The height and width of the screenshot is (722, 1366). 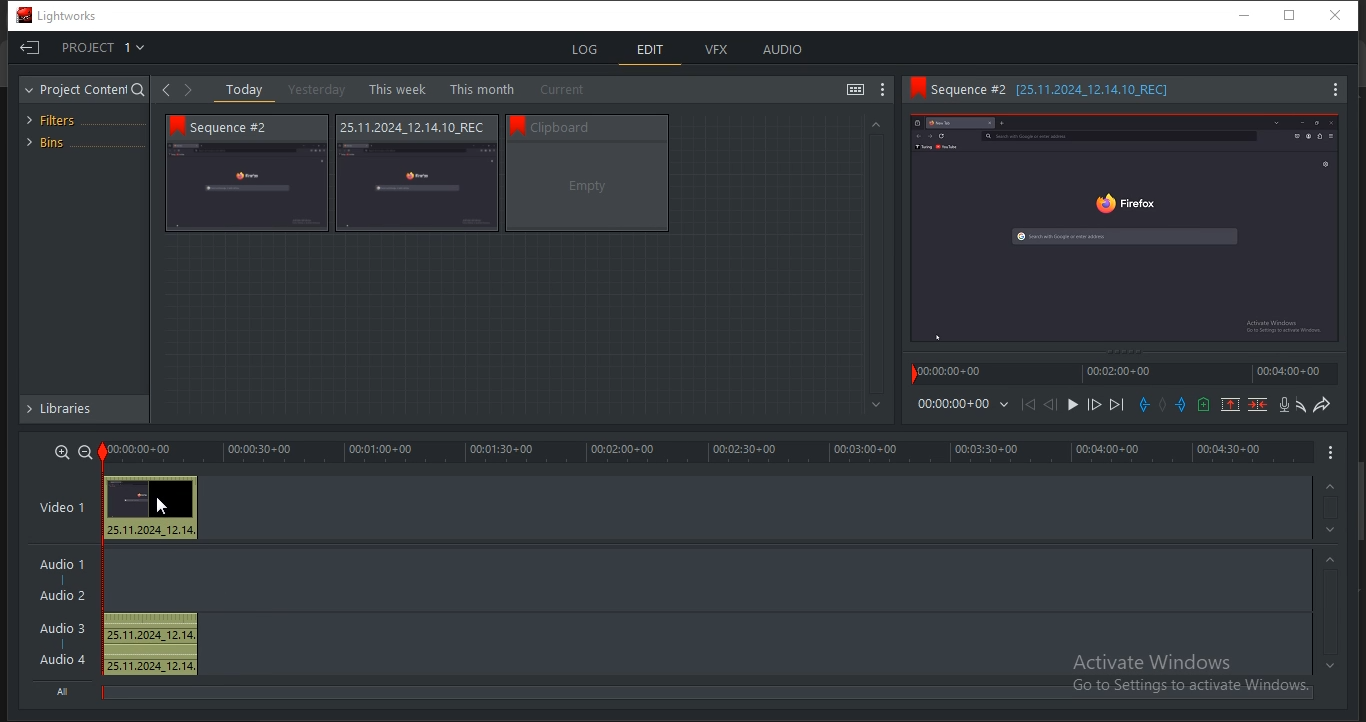 What do you see at coordinates (65, 506) in the screenshot?
I see `video 1` at bounding box center [65, 506].